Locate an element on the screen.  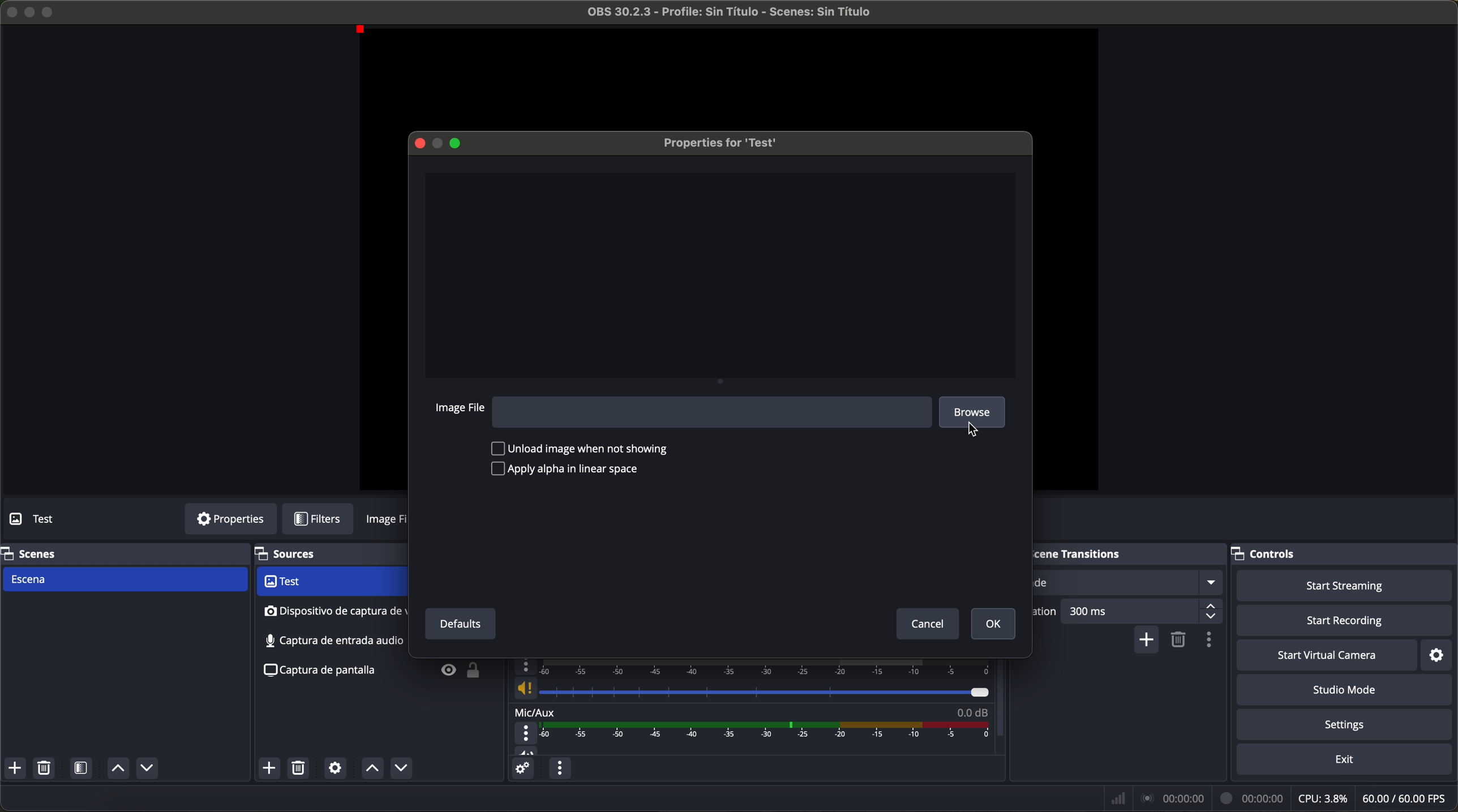
image file is located at coordinates (461, 409).